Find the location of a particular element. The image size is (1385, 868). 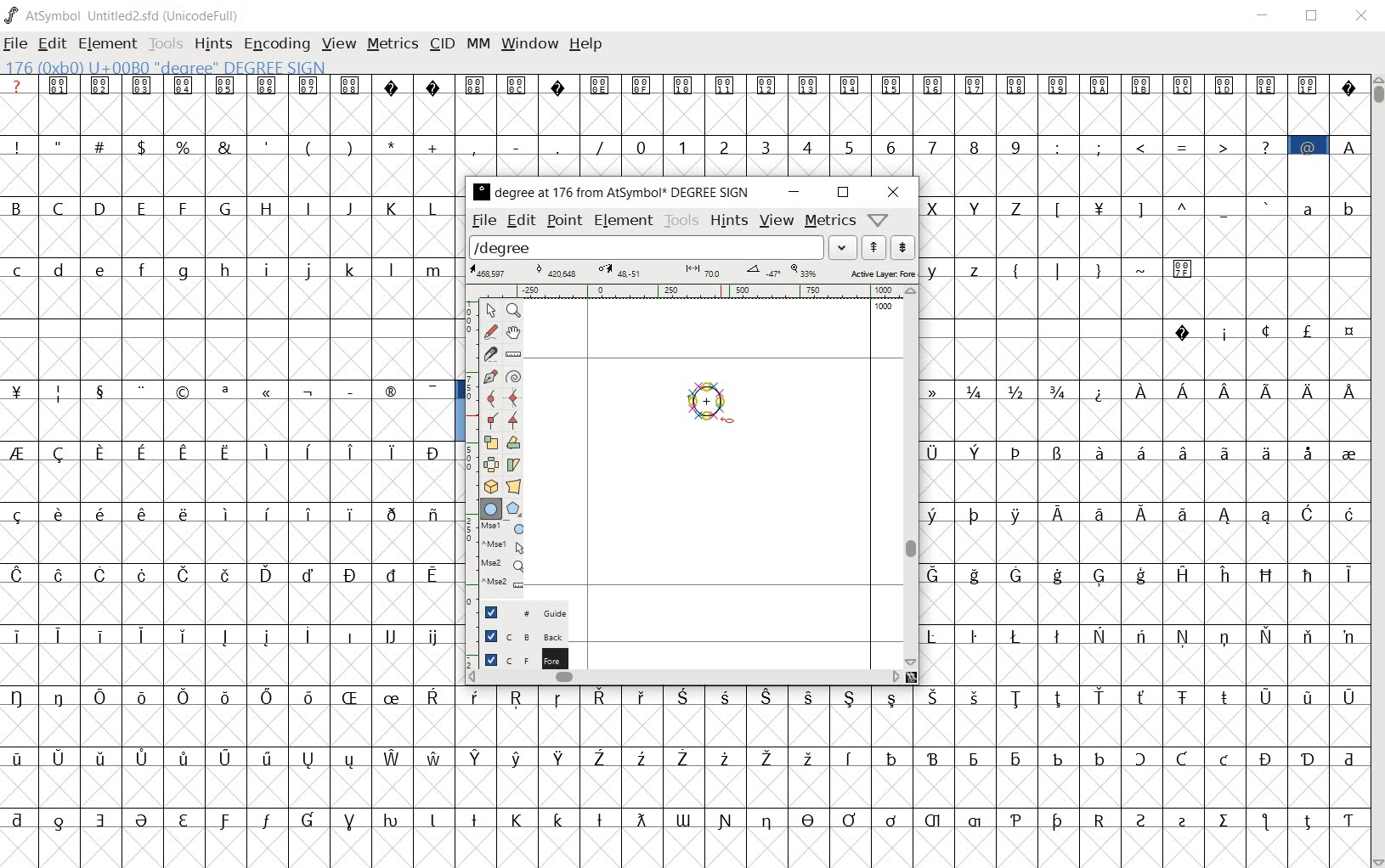

AtSymbol Untitled2.sfd (UnicodeFull) is located at coordinates (126, 15).